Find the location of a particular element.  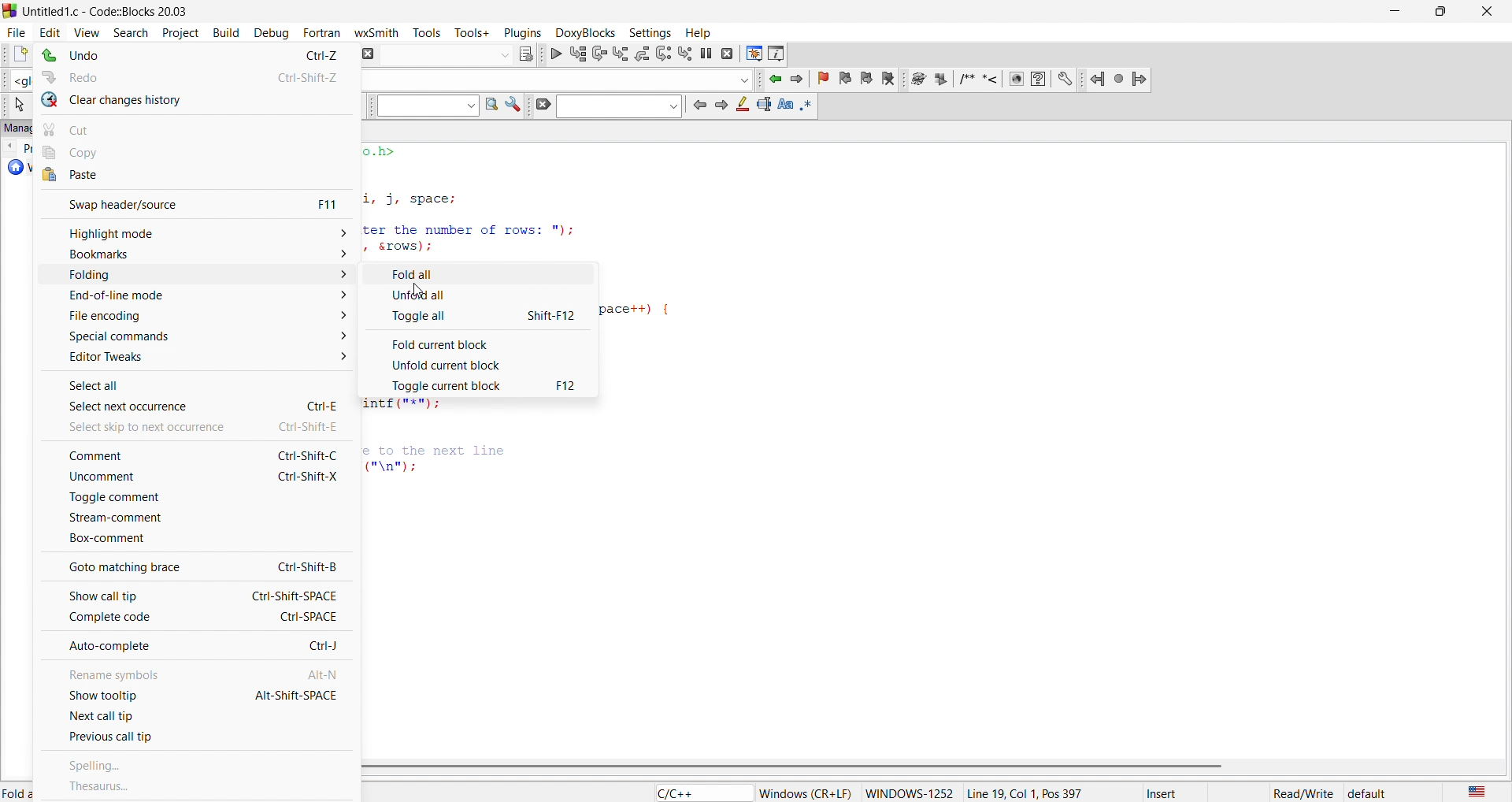

default is located at coordinates (1368, 793).